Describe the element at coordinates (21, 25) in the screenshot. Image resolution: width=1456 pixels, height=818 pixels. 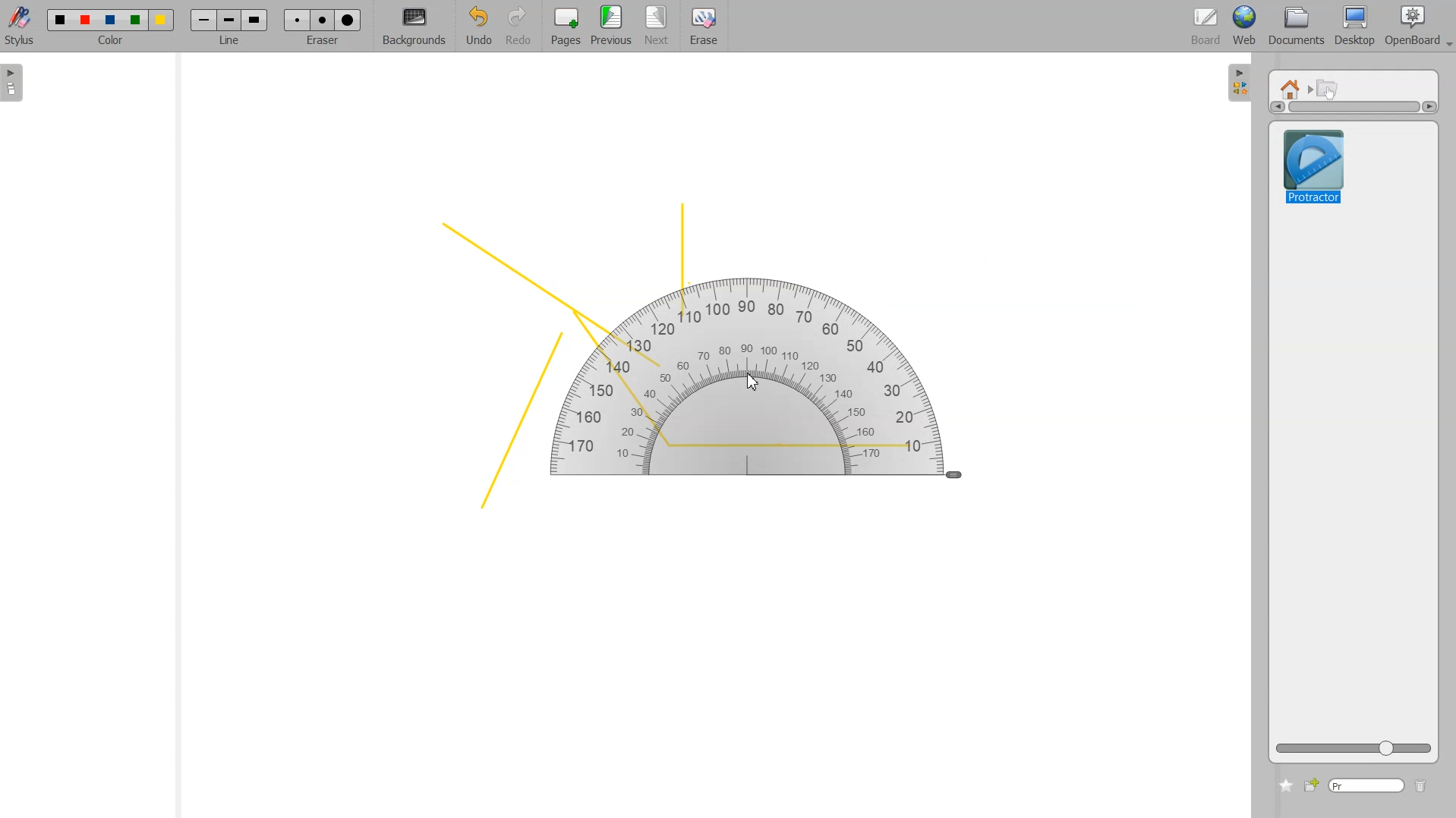
I see `Stylus` at that location.